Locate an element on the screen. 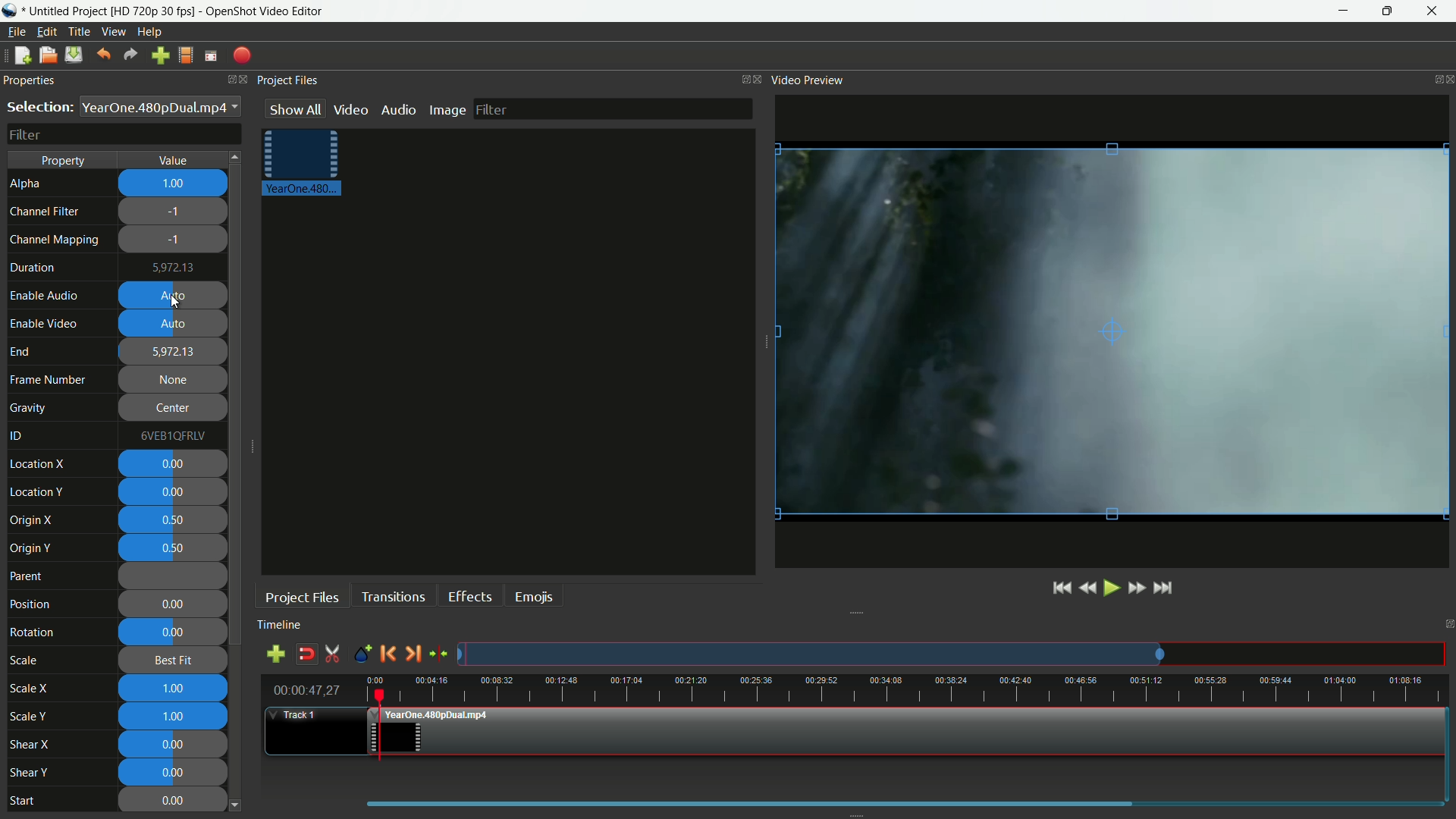 The height and width of the screenshot is (819, 1456). previous marker is located at coordinates (388, 651).